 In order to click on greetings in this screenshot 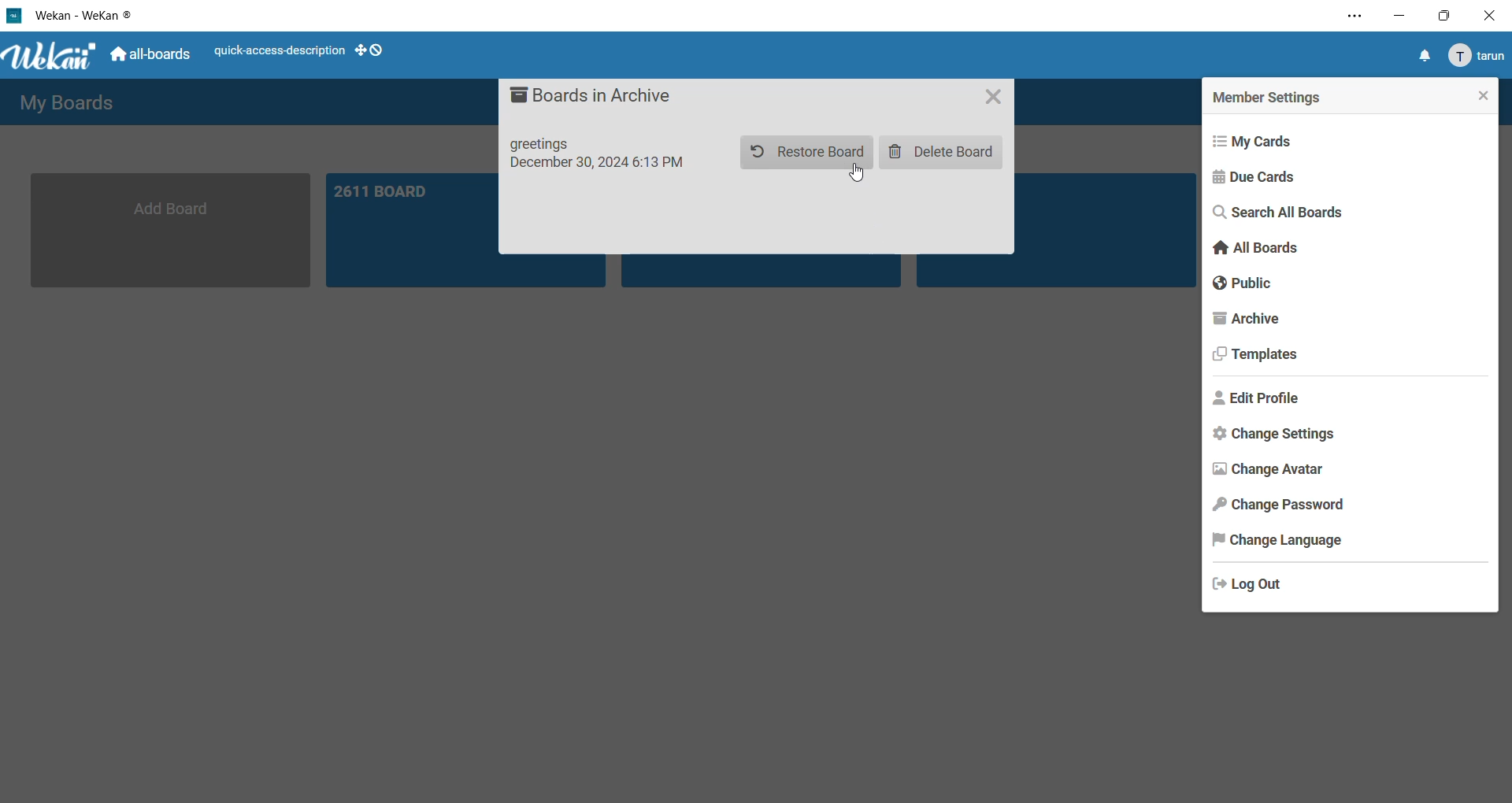, I will do `click(547, 142)`.